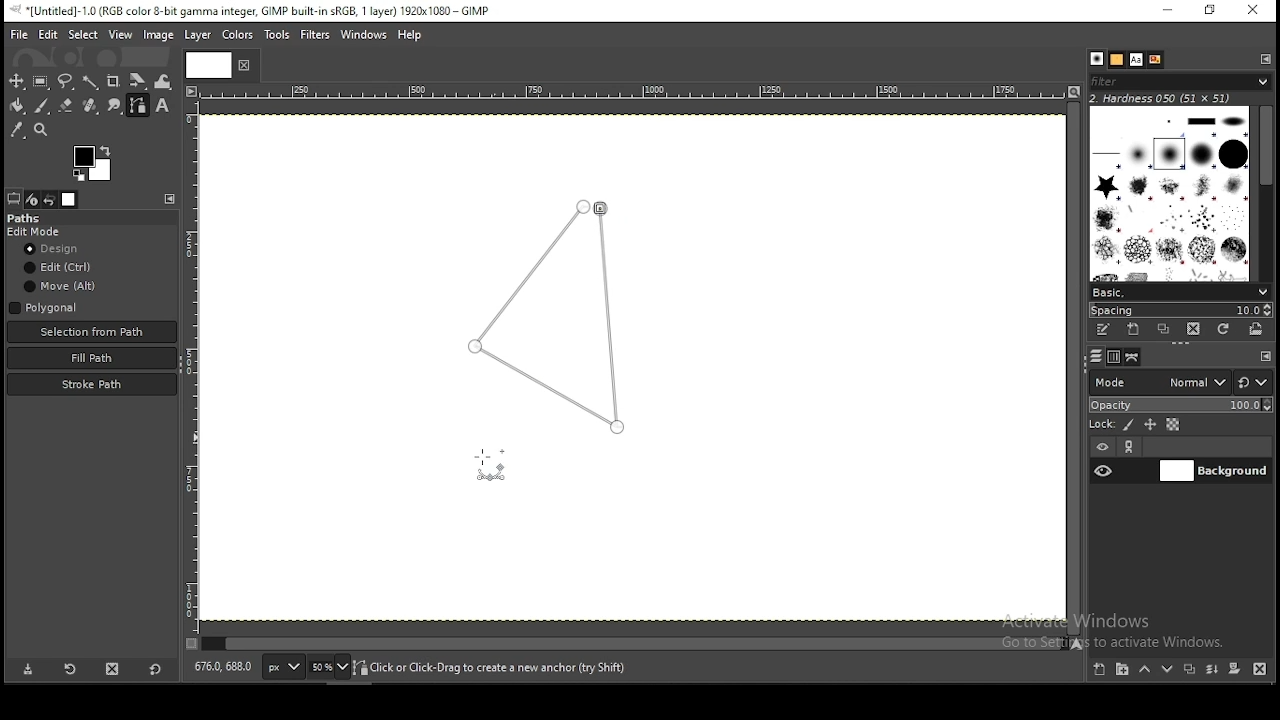  Describe the element at coordinates (244, 68) in the screenshot. I see `close` at that location.